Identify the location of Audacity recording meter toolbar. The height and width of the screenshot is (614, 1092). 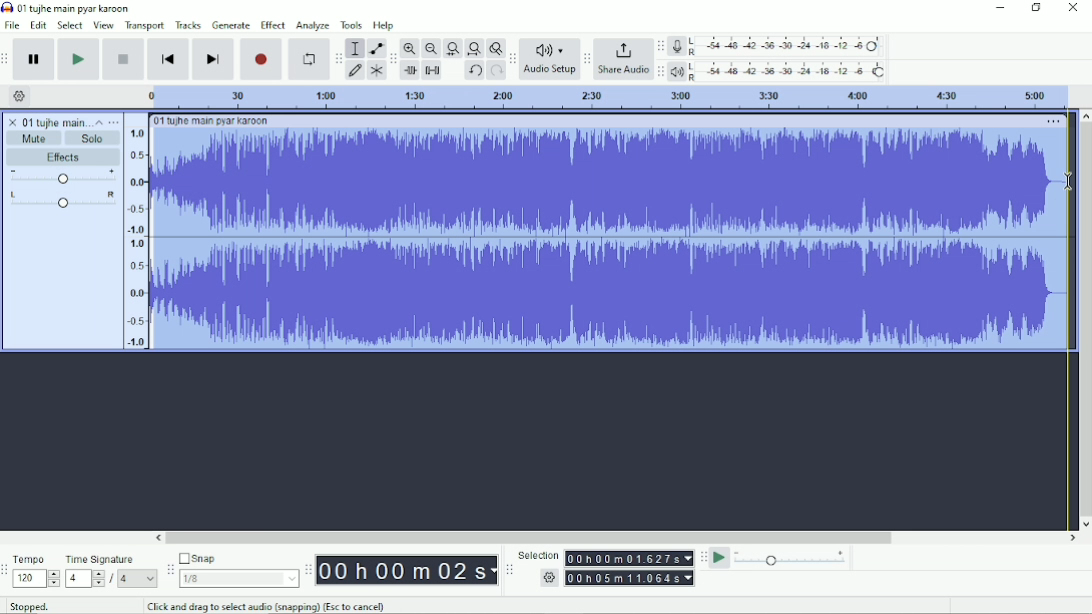
(661, 46).